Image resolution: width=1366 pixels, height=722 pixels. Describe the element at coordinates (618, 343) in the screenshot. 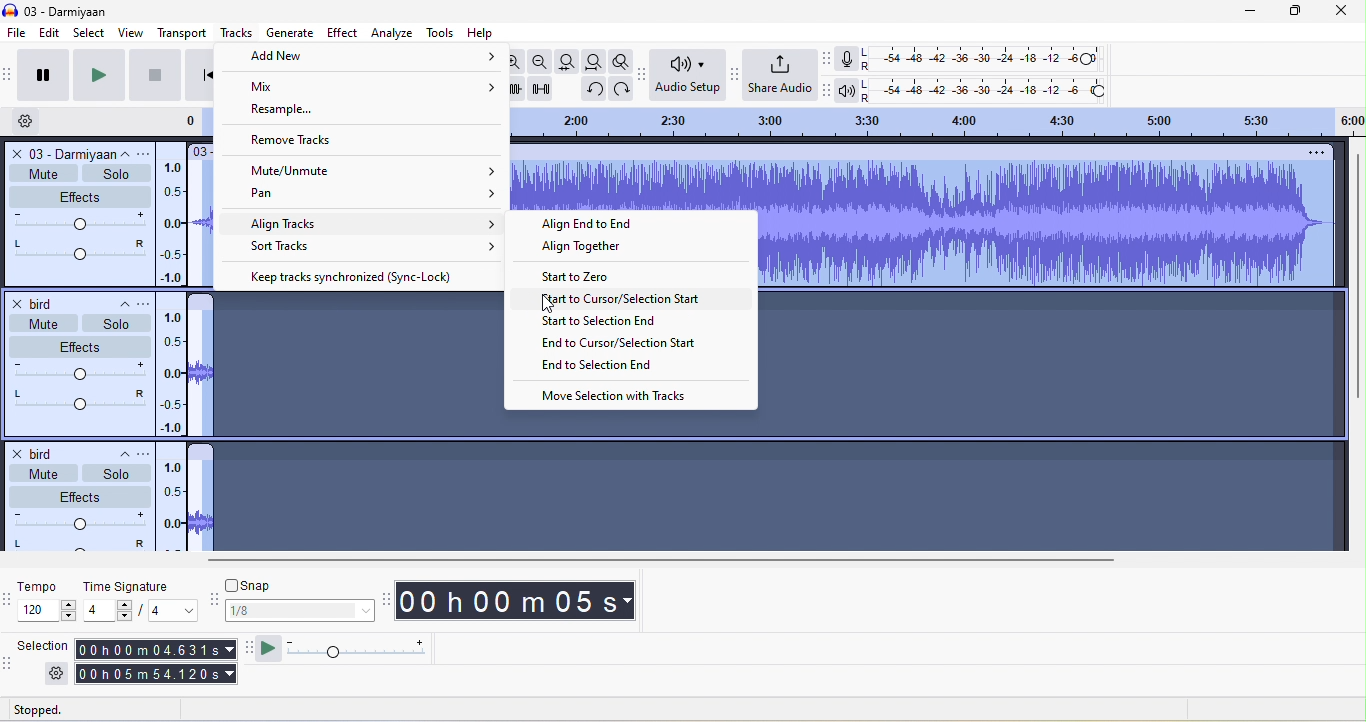

I see `end to cursor` at that location.